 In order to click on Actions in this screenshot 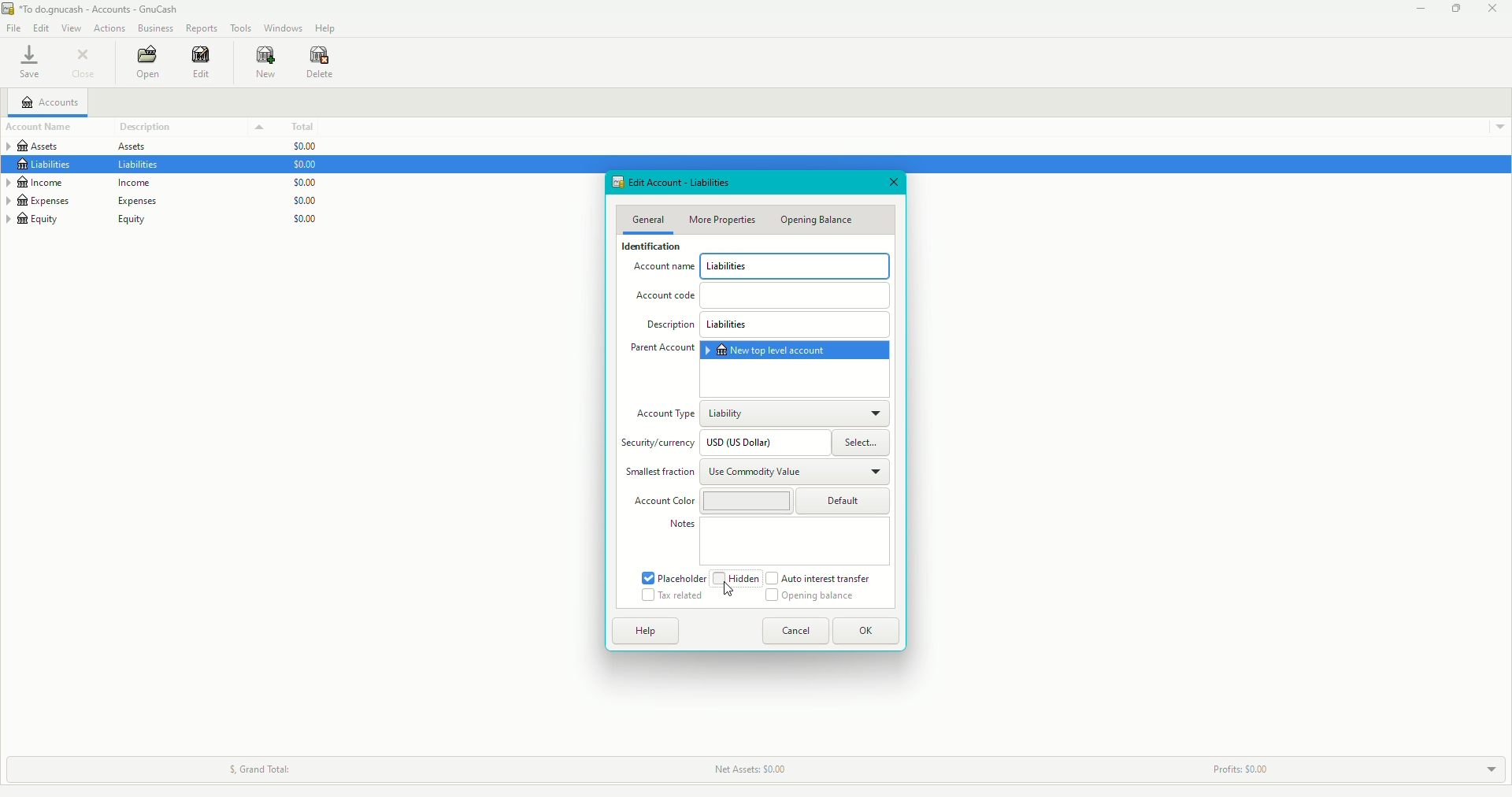, I will do `click(111, 28)`.